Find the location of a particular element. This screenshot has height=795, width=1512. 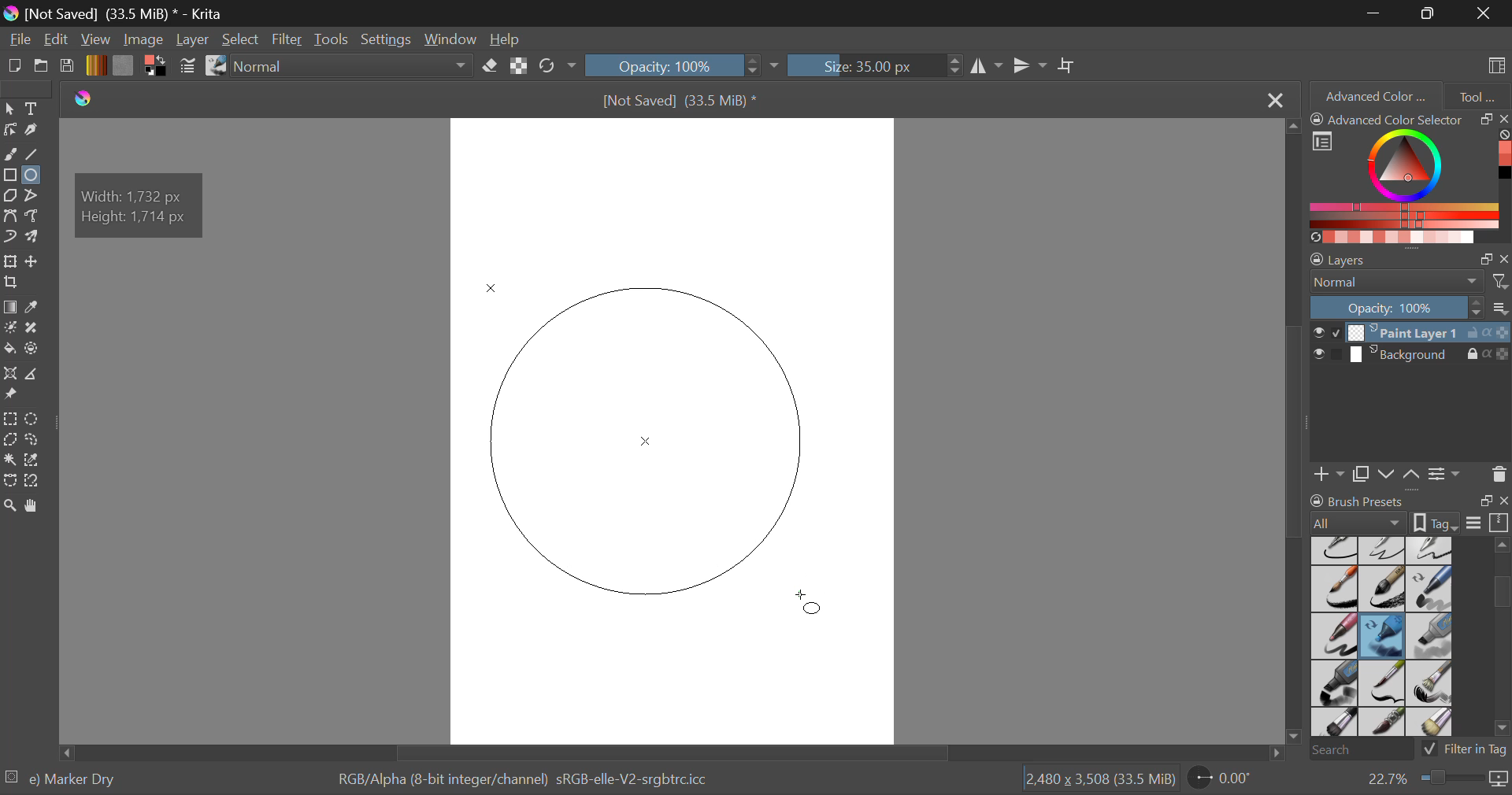

Close is located at coordinates (1273, 101).